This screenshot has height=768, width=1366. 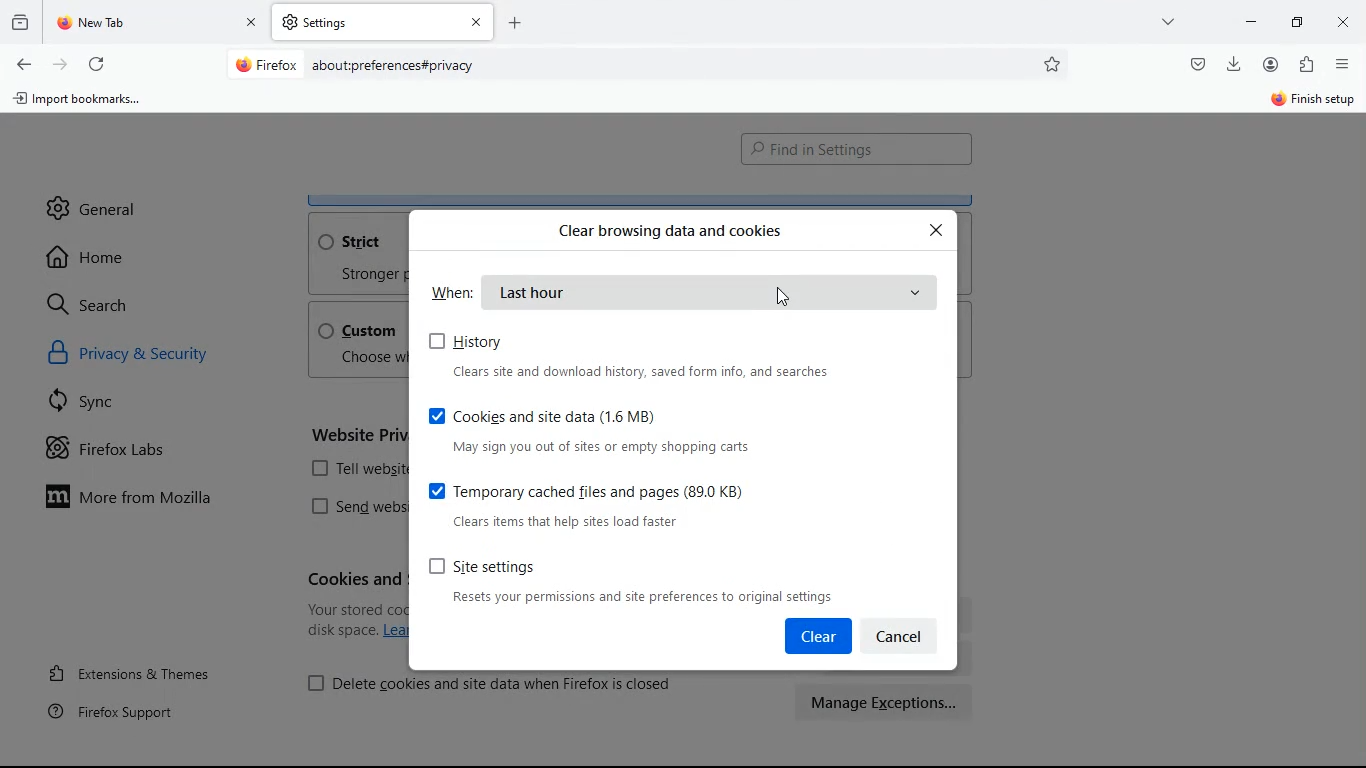 What do you see at coordinates (1196, 63) in the screenshot?
I see `pocket` at bounding box center [1196, 63].